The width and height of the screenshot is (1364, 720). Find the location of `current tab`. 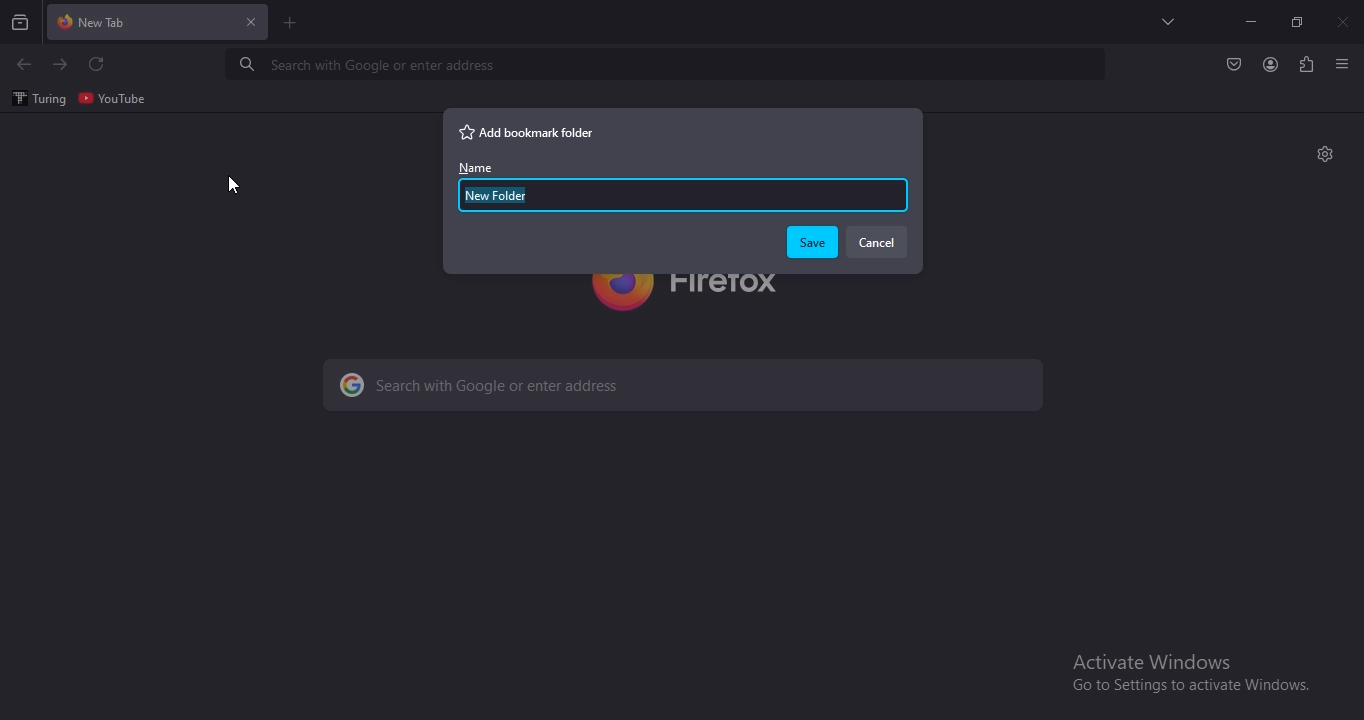

current tab is located at coordinates (159, 23).